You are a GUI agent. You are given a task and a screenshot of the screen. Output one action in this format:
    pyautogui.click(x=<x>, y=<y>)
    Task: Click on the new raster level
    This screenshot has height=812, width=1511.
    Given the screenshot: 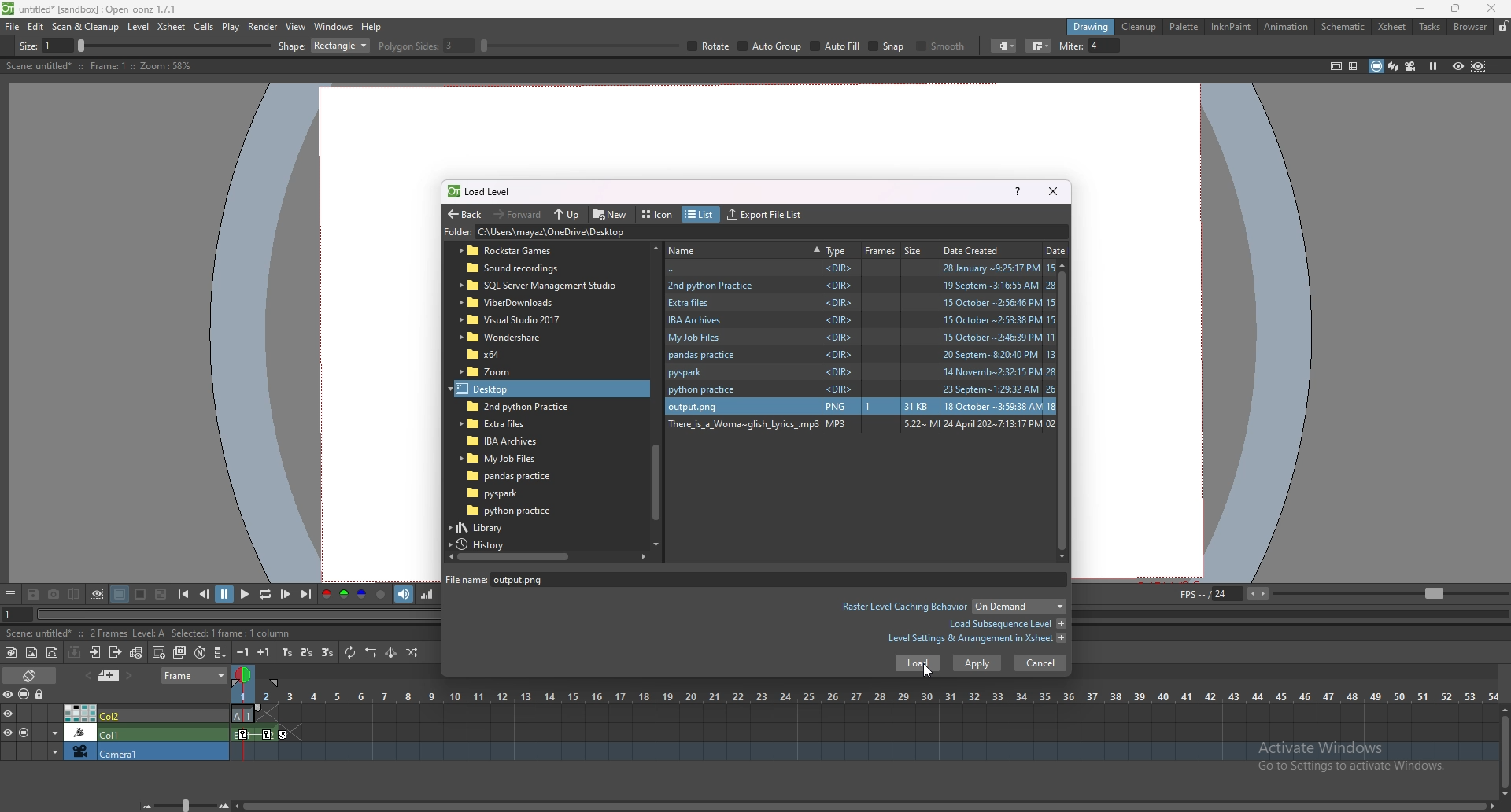 What is the action you would take?
    pyautogui.click(x=31, y=653)
    